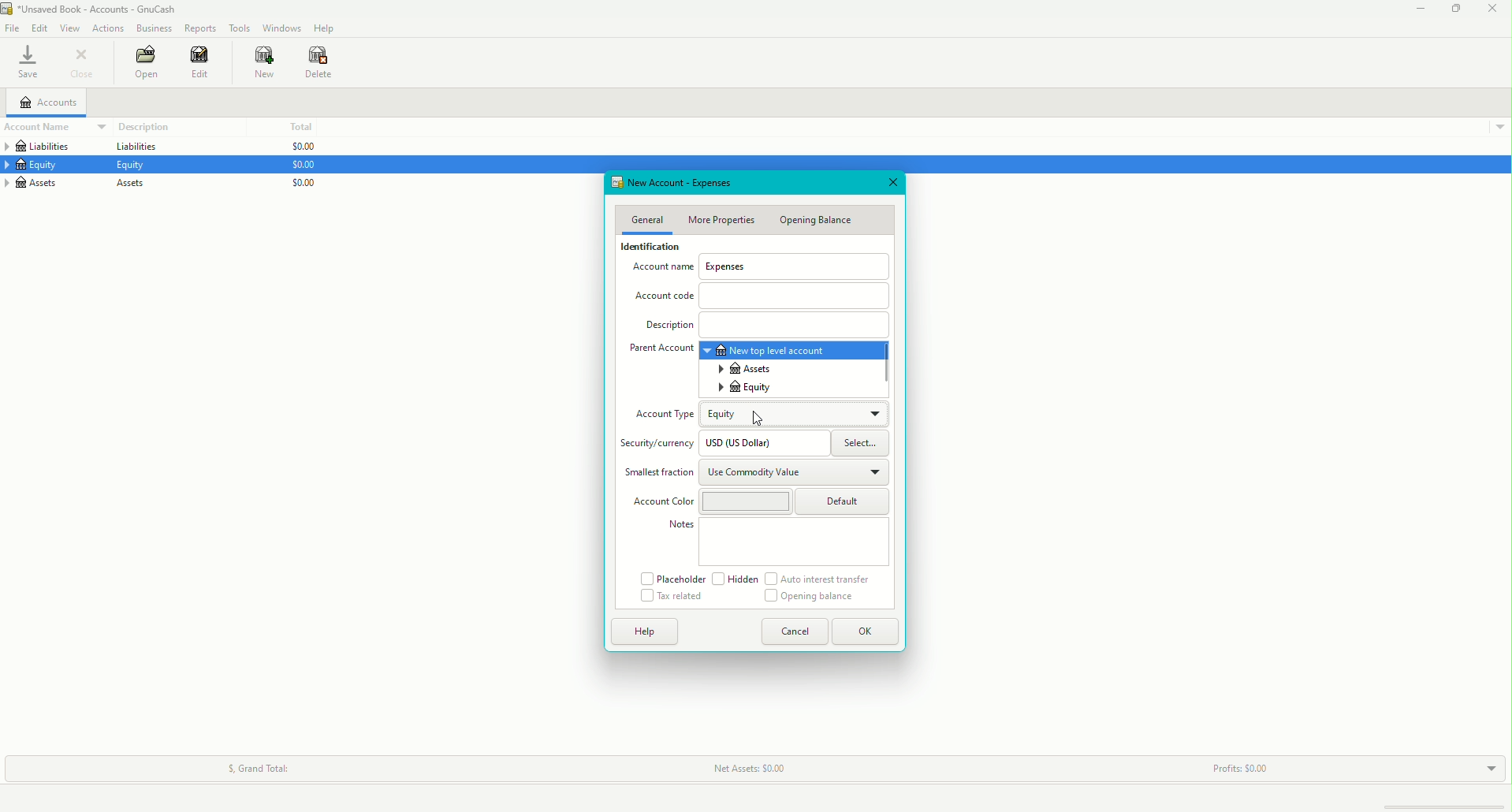  Describe the element at coordinates (799, 634) in the screenshot. I see `Cancel` at that location.